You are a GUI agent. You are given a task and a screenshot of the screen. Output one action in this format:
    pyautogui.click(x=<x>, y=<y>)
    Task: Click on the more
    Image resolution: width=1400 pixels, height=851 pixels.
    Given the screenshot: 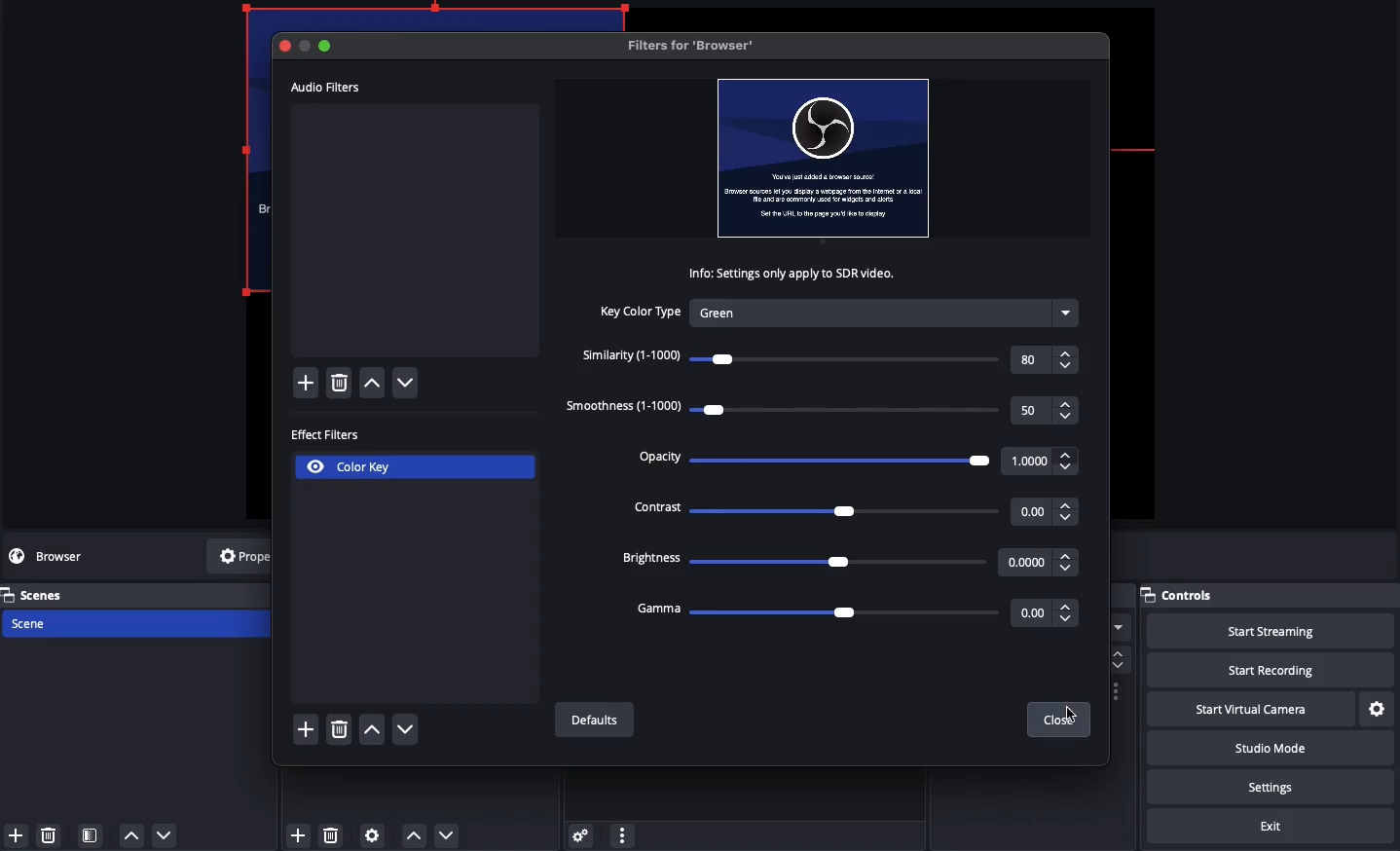 What is the action you would take?
    pyautogui.click(x=623, y=836)
    